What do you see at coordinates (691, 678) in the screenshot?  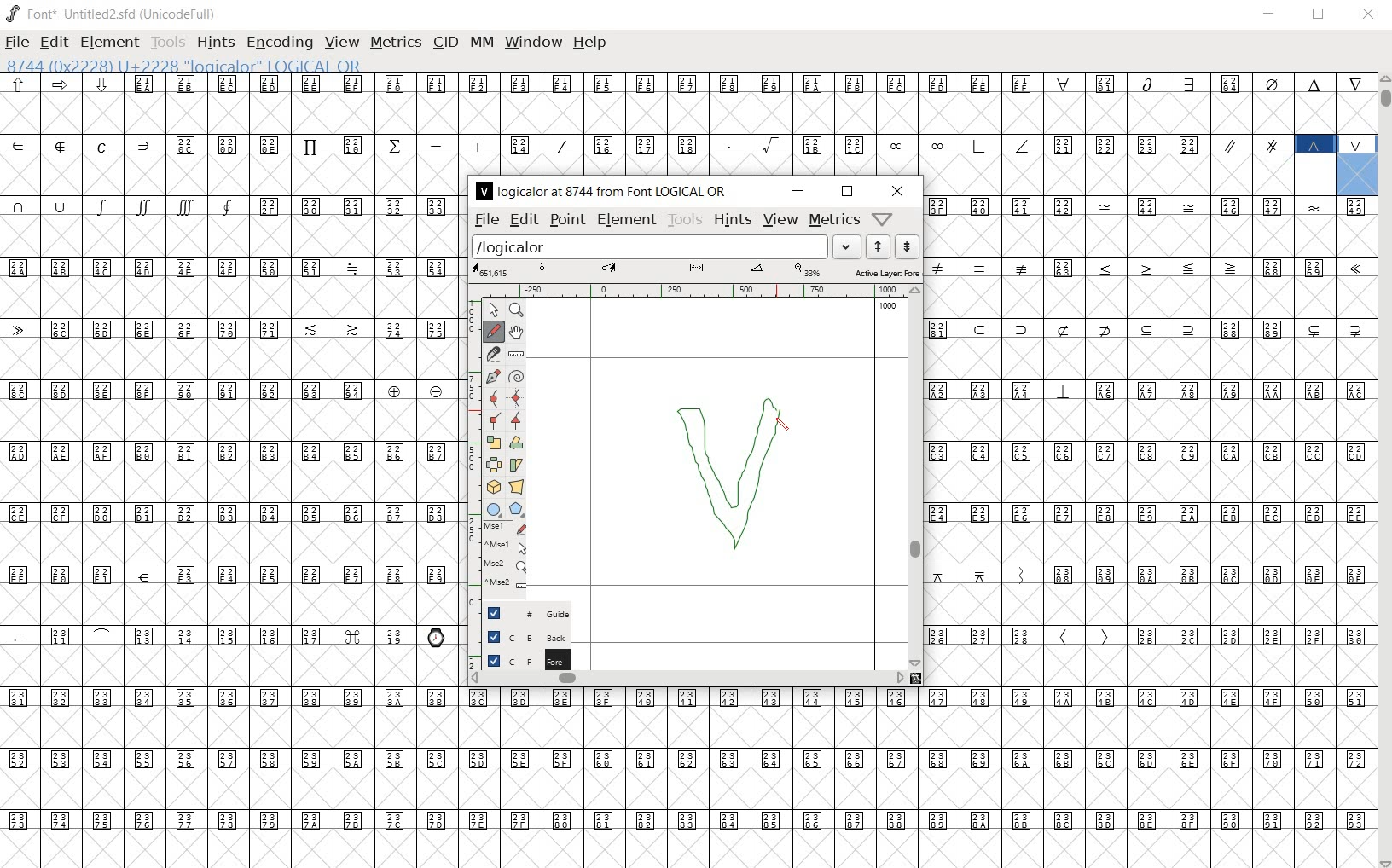 I see `scrollbar` at bounding box center [691, 678].